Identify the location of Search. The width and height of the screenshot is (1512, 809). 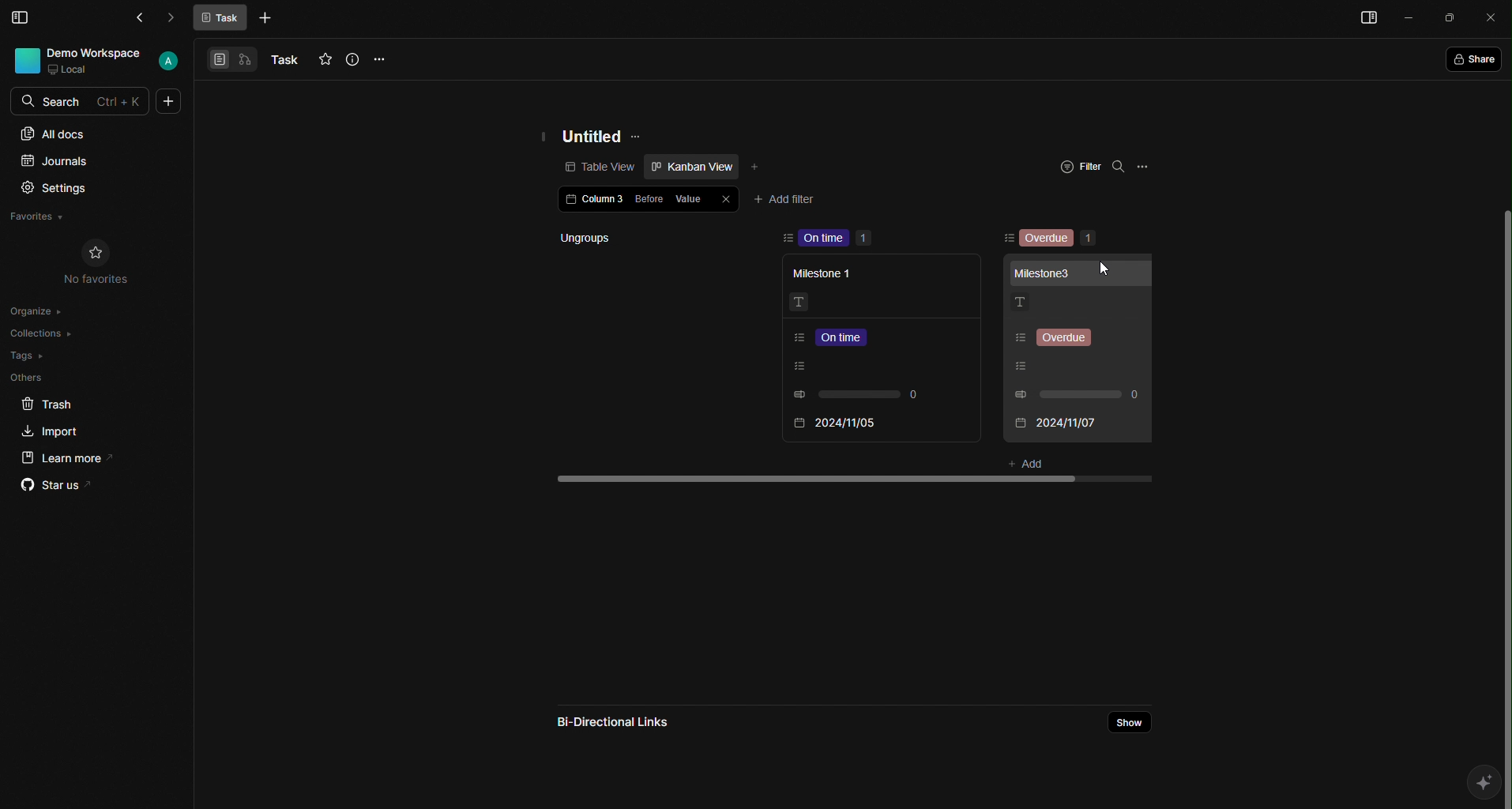
(81, 100).